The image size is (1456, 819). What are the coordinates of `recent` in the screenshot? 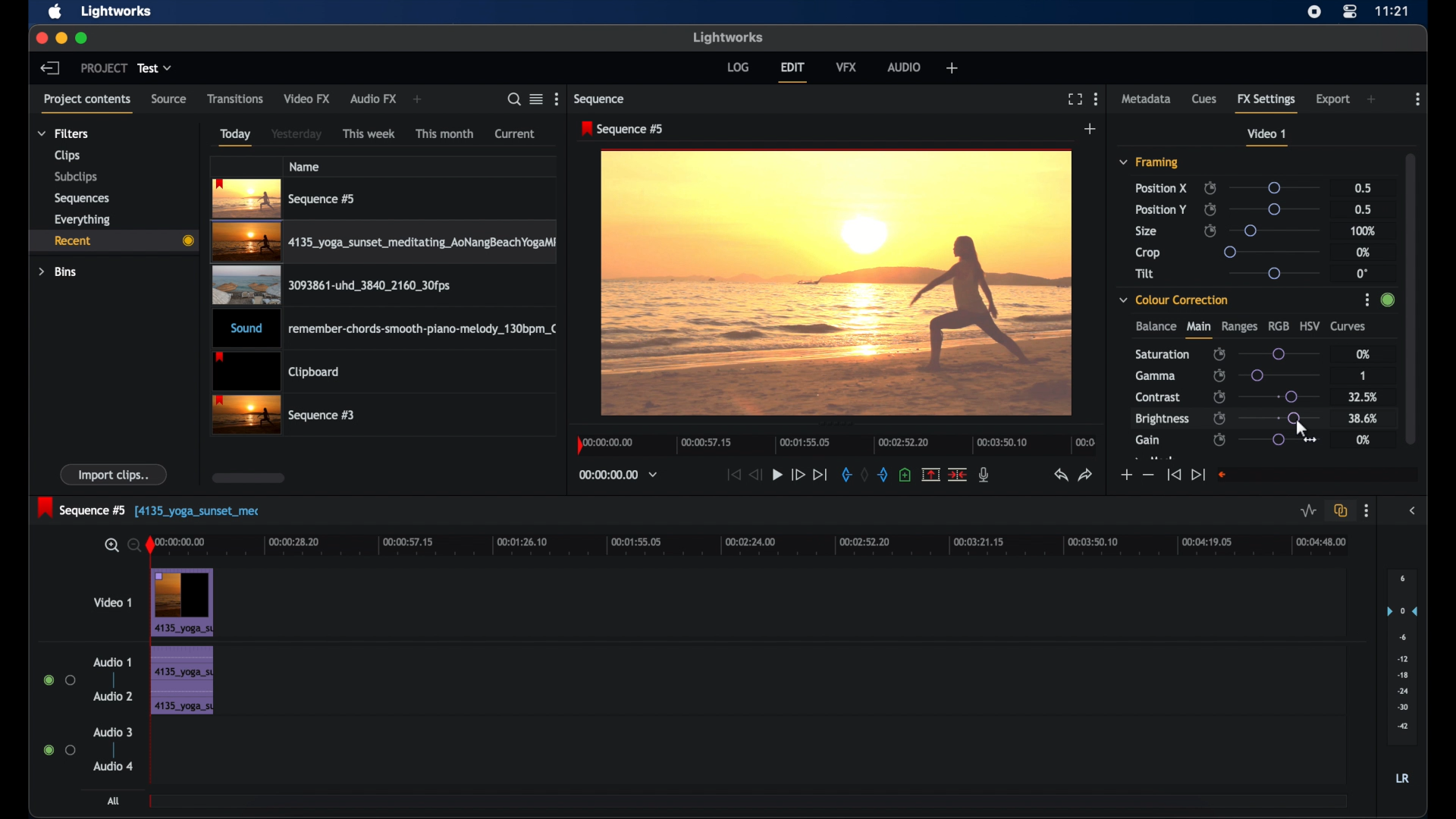 It's located at (112, 241).